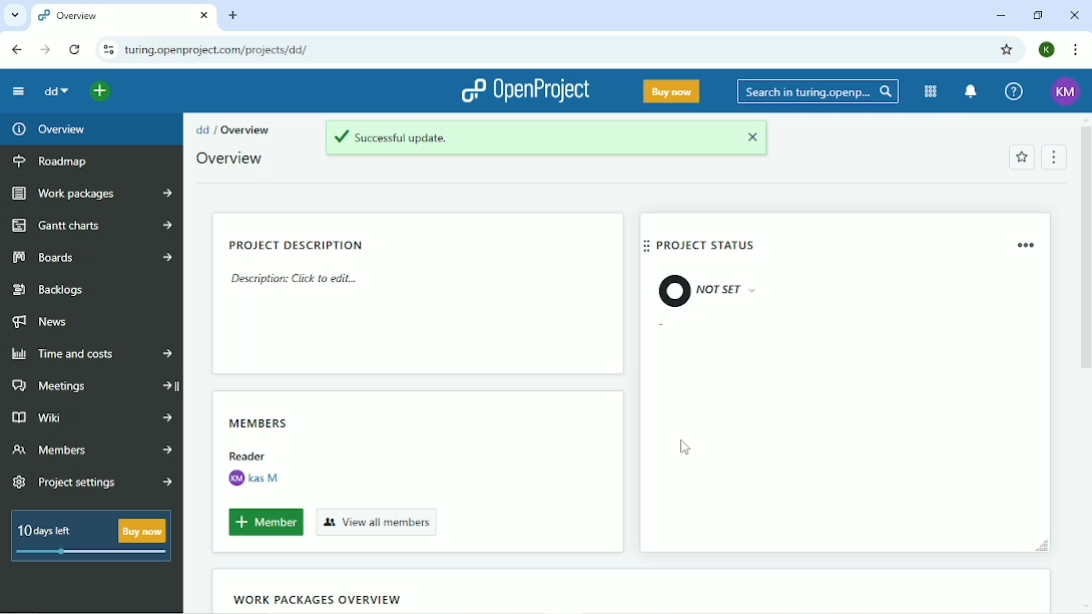 The height and width of the screenshot is (614, 1092). What do you see at coordinates (1074, 51) in the screenshot?
I see `Customize and control google chrome` at bounding box center [1074, 51].